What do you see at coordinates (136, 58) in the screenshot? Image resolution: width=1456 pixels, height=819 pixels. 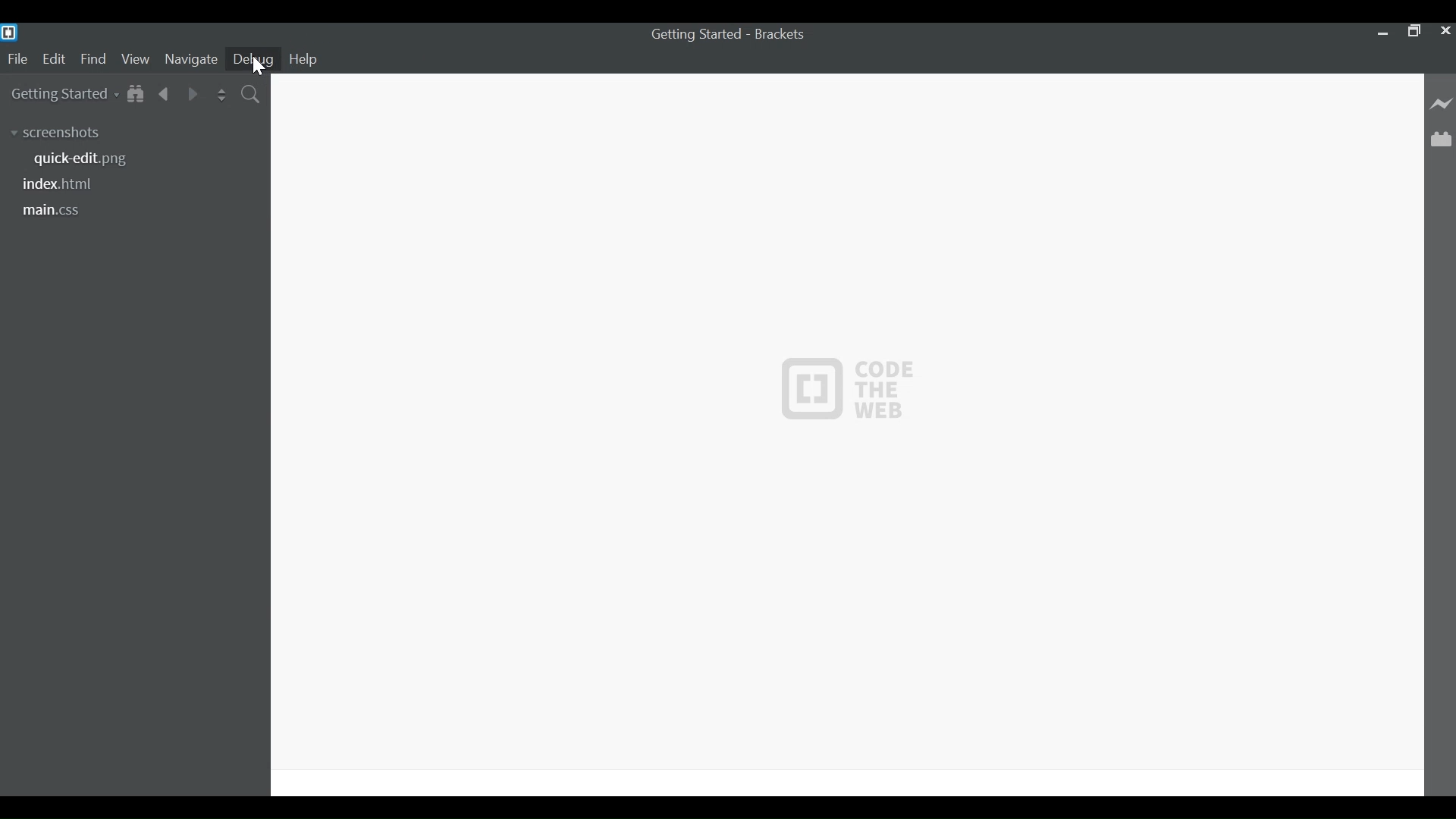 I see `View` at bounding box center [136, 58].